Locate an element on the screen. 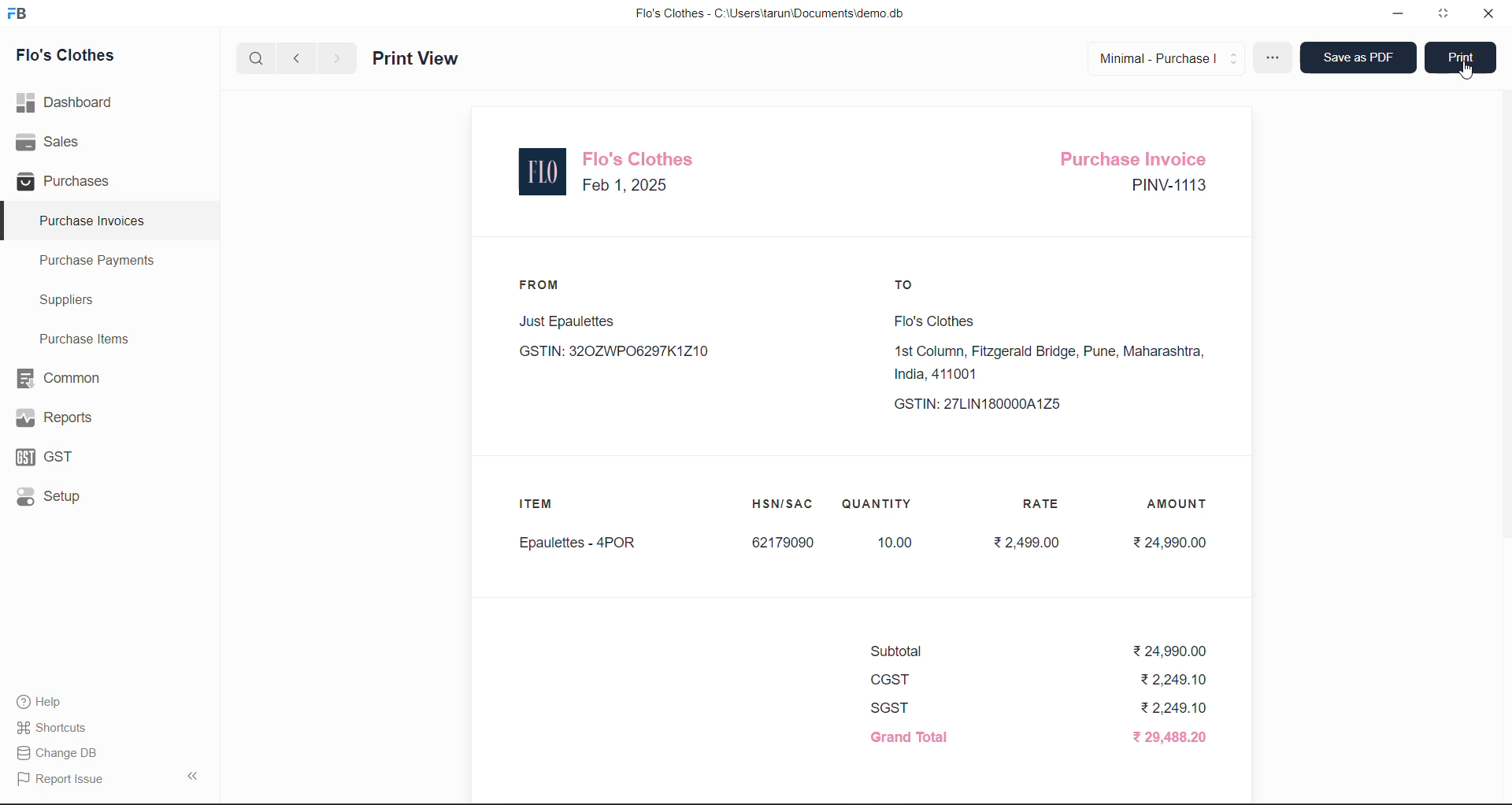   Sales is located at coordinates (50, 139).